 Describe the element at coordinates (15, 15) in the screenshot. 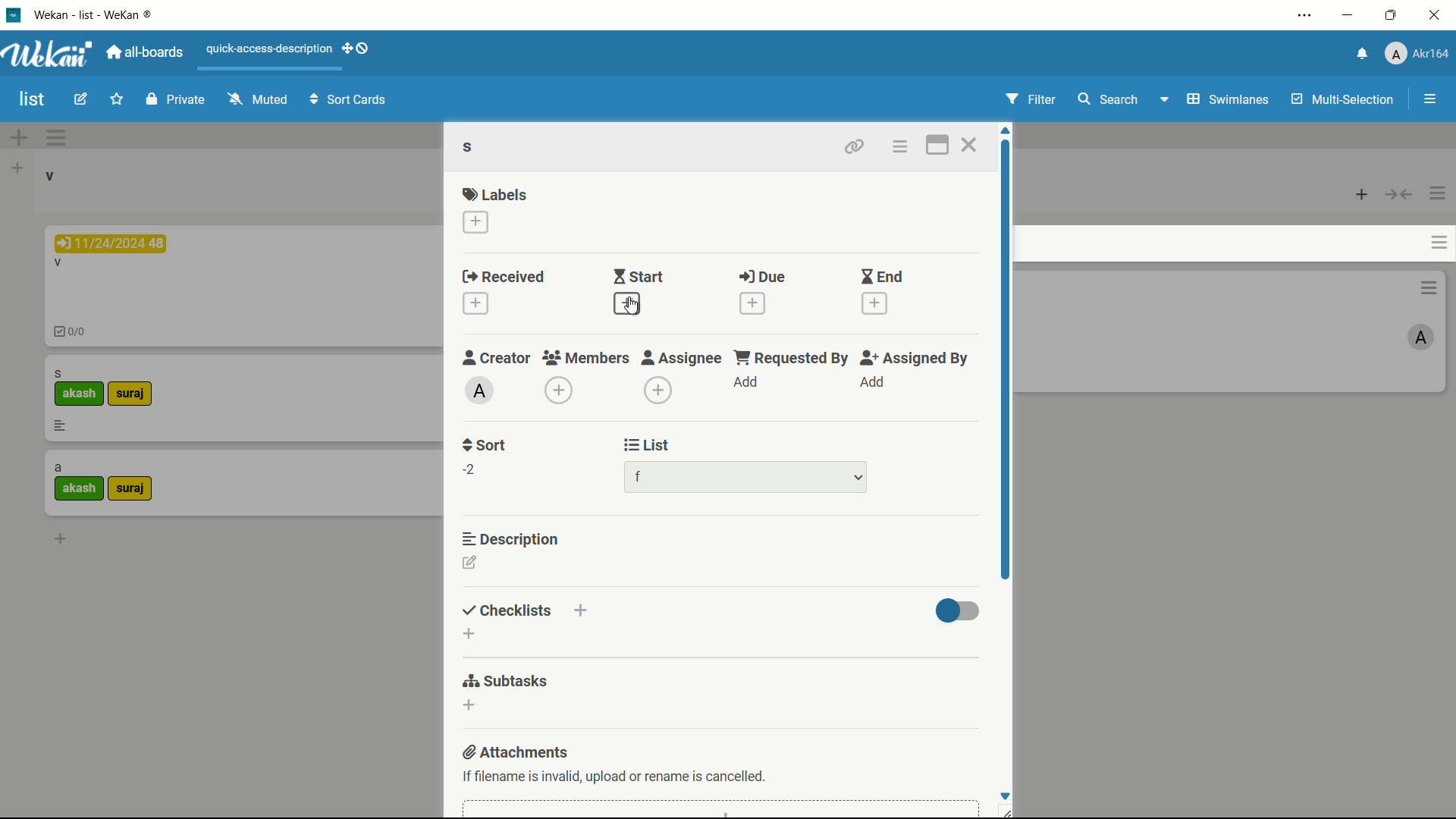

I see `app icon` at that location.